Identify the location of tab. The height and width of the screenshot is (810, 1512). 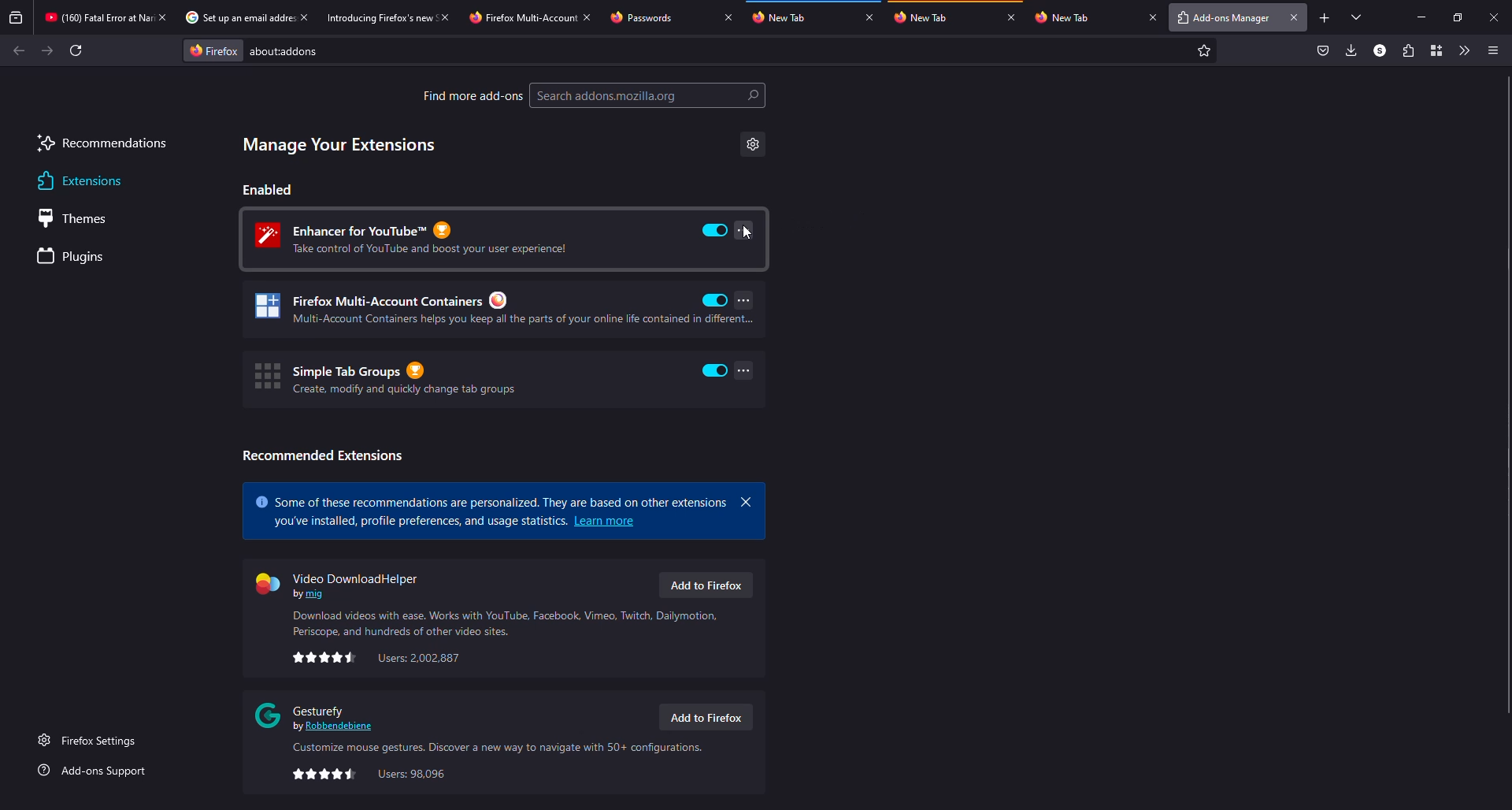
(236, 17).